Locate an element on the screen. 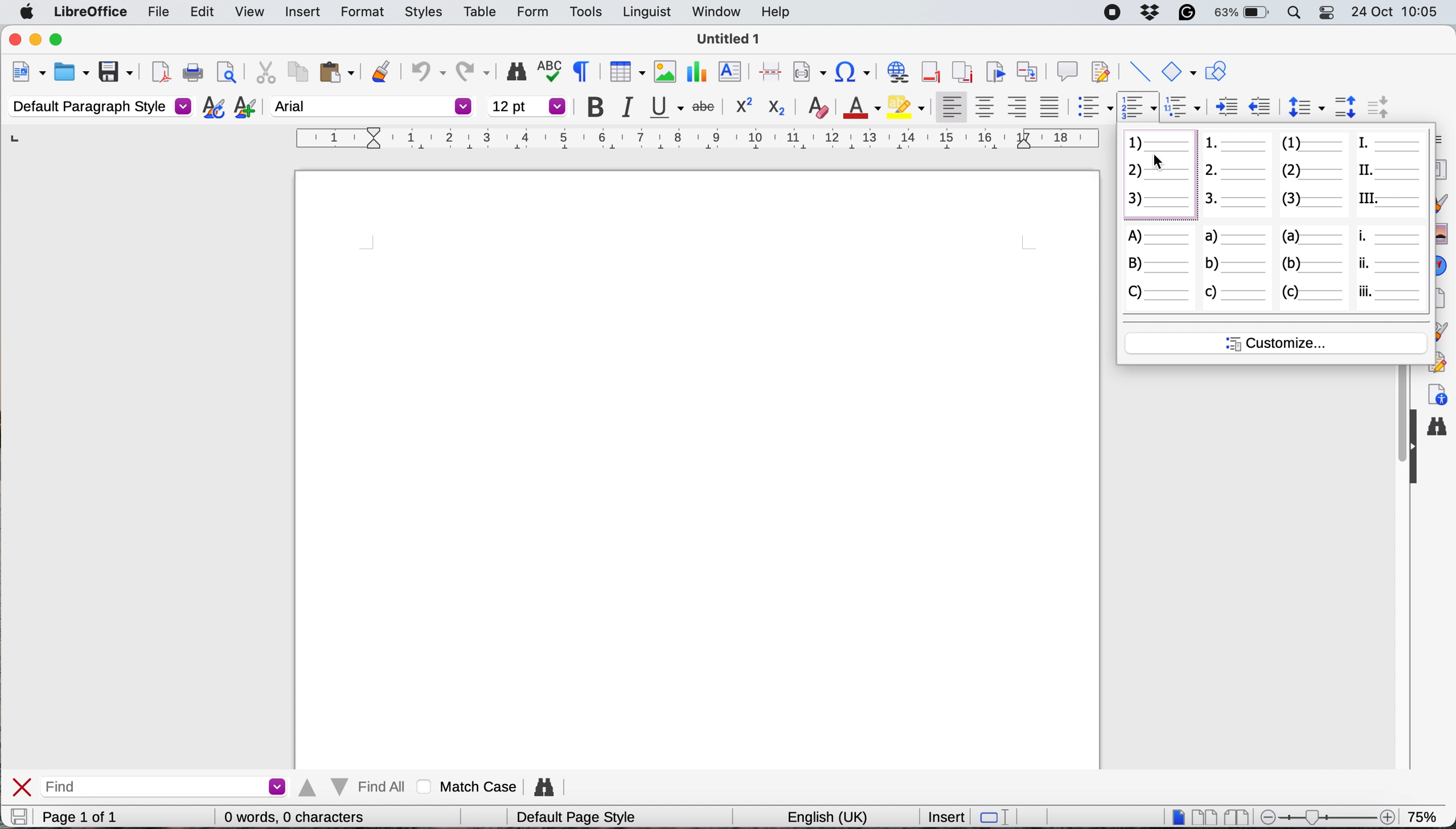  copy is located at coordinates (296, 71).